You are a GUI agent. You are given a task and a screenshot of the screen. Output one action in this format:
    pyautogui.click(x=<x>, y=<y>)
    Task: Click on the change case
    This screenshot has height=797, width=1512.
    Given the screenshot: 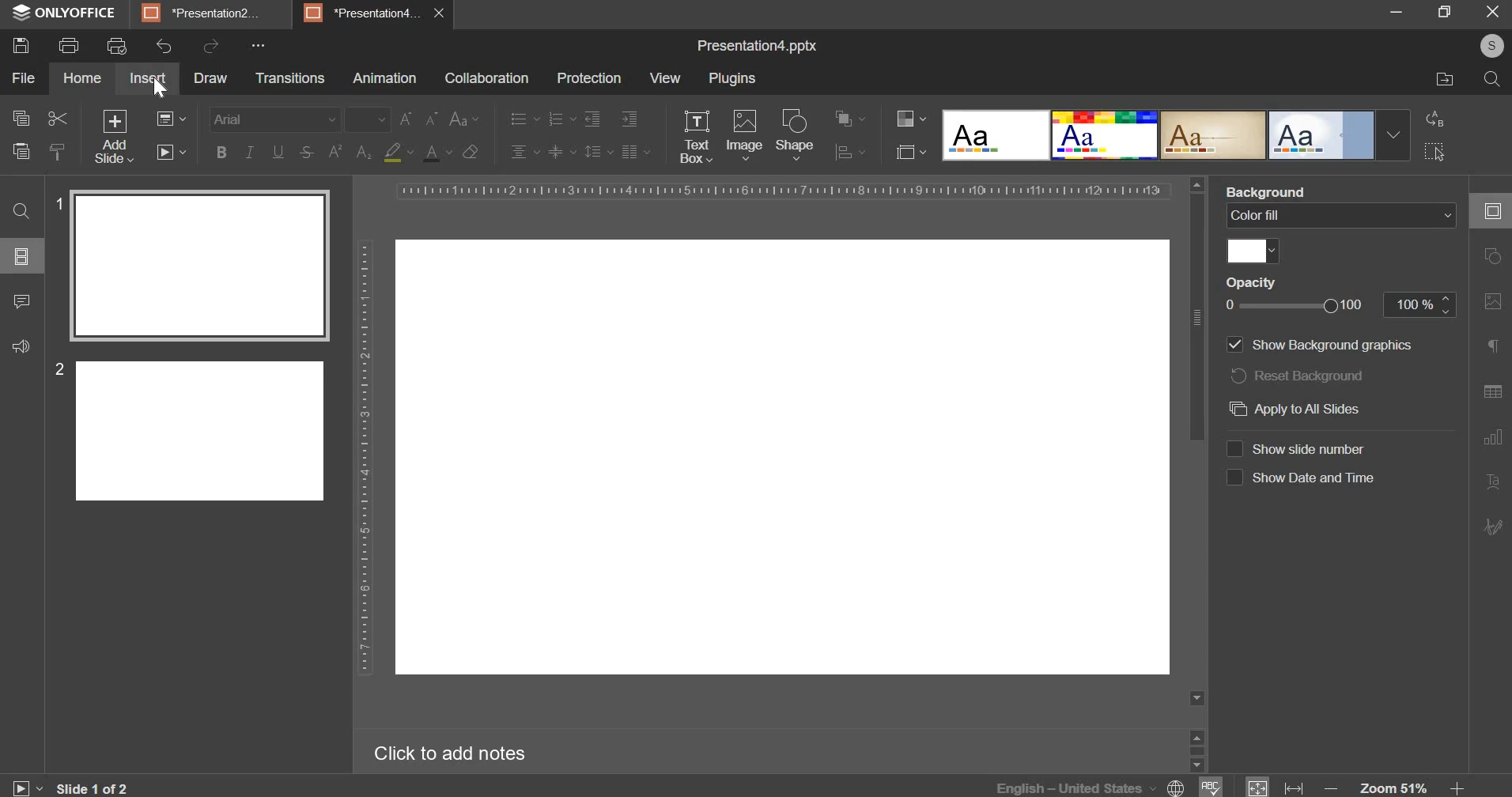 What is the action you would take?
    pyautogui.click(x=464, y=119)
    